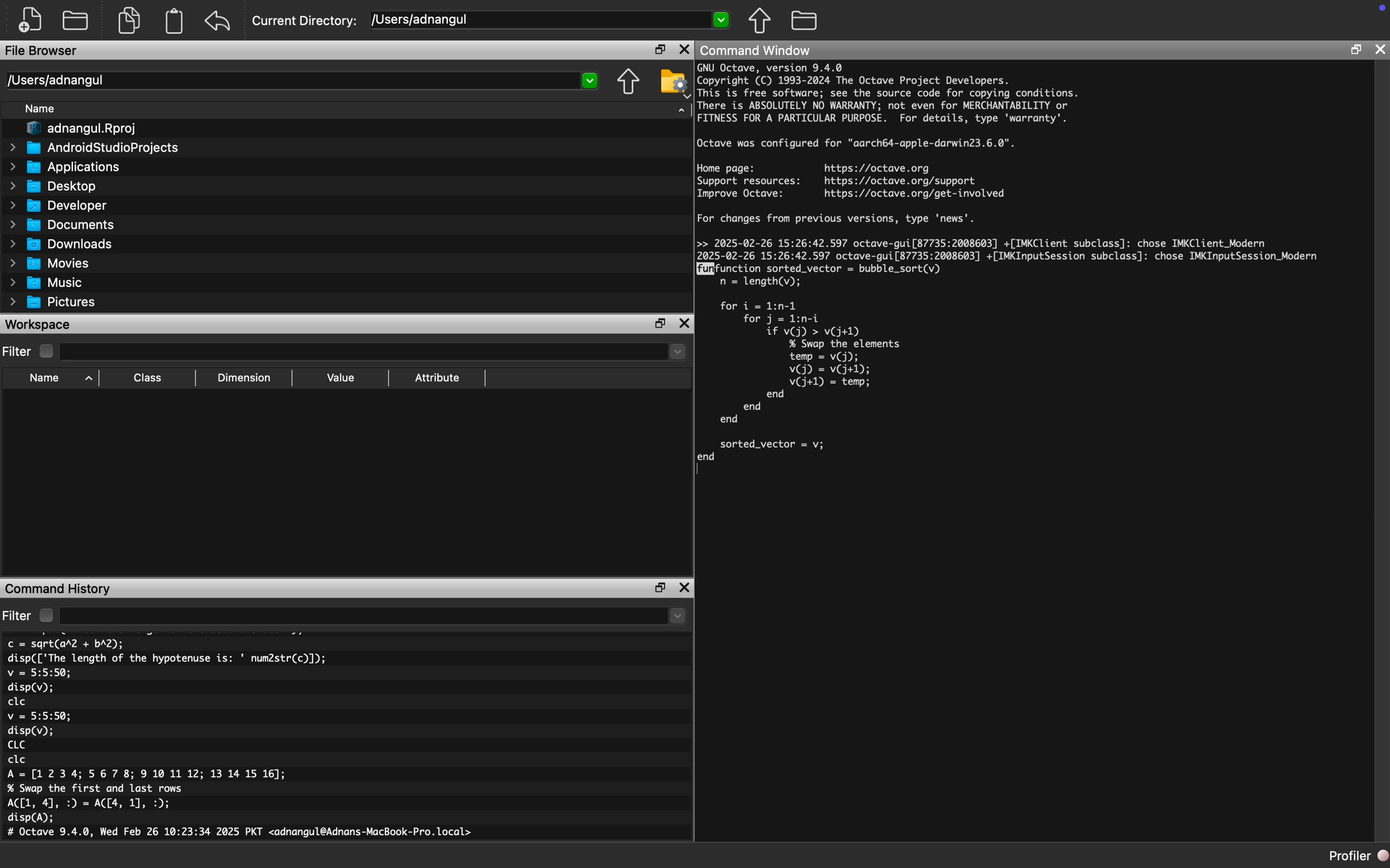 Image resolution: width=1390 pixels, height=868 pixels. What do you see at coordinates (168, 658) in the screenshot?
I see `disp(['The length of the hypotenuse is: ' num2str(c)]);` at bounding box center [168, 658].